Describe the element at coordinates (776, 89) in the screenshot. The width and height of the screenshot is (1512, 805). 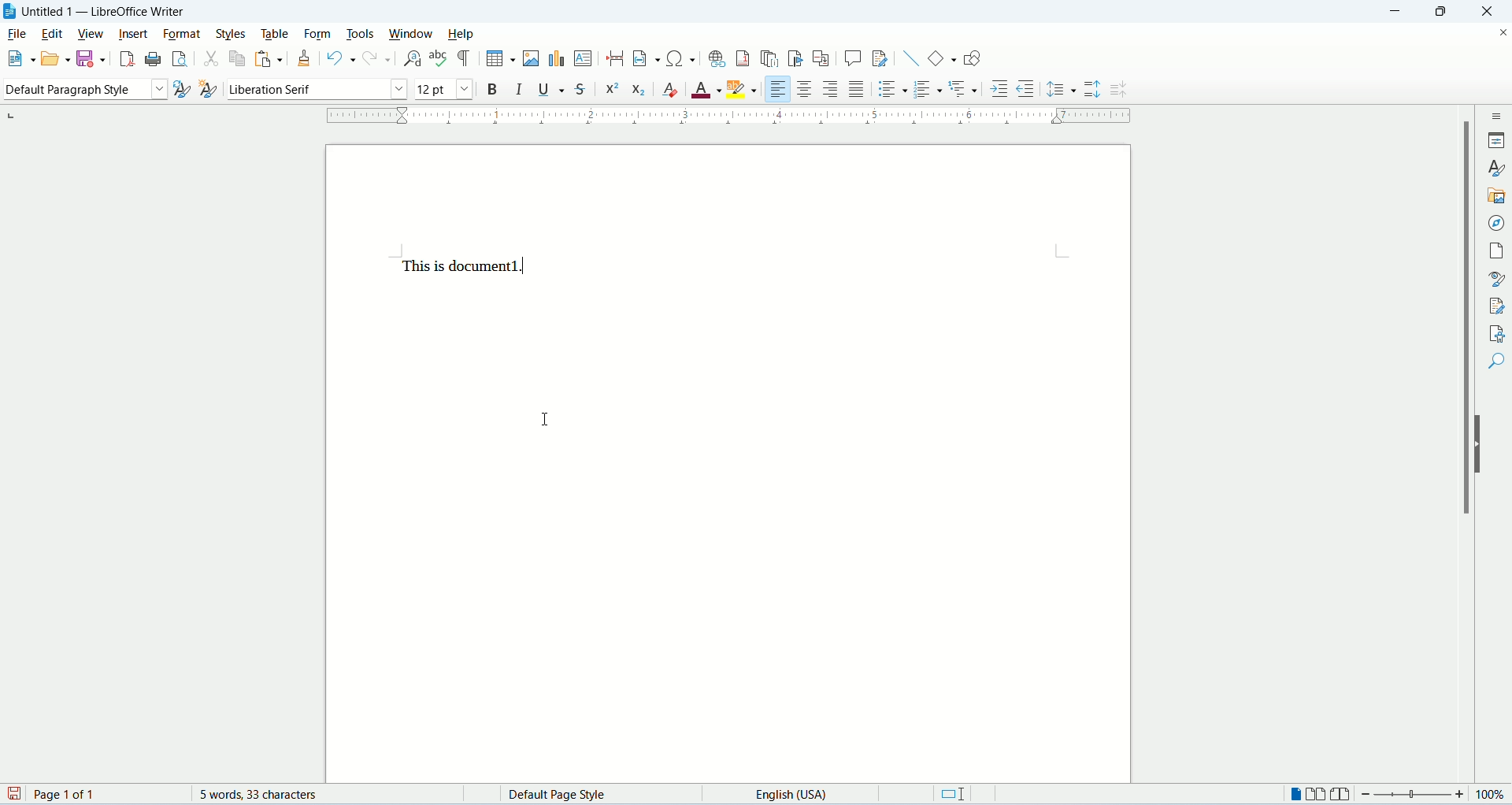
I see `align left` at that location.